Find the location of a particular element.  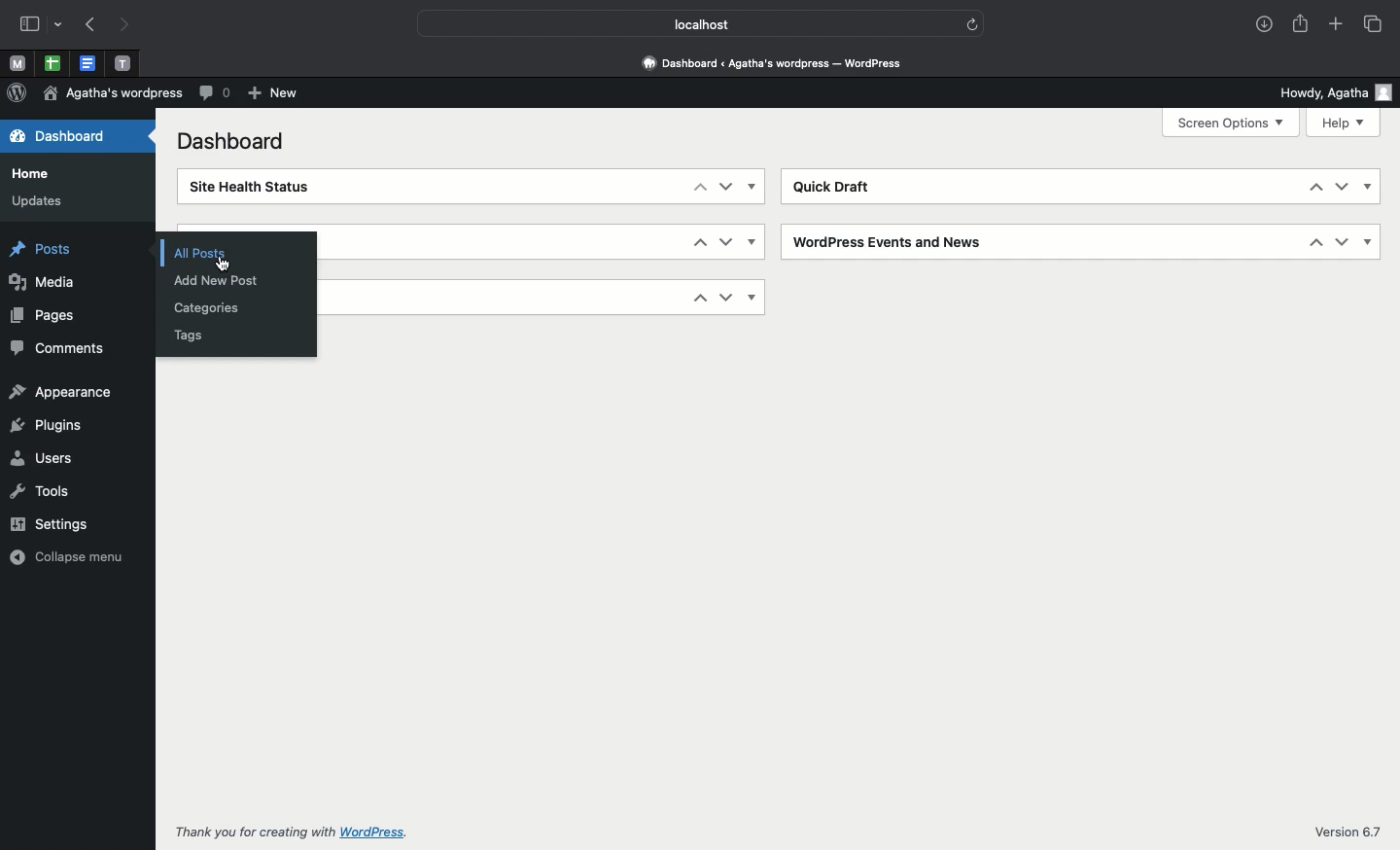

Media is located at coordinates (48, 285).